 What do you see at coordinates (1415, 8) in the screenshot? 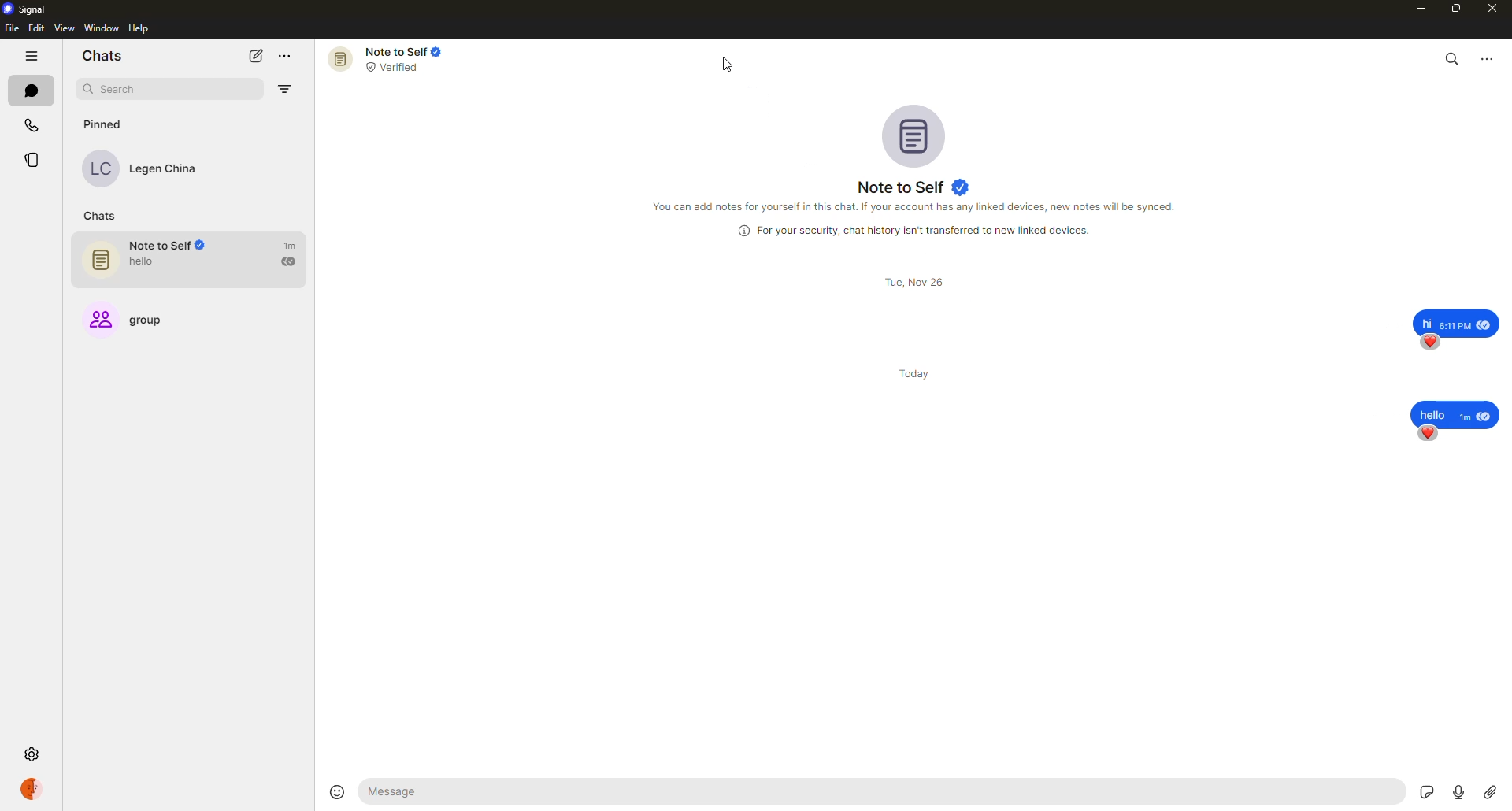
I see `minimize` at bounding box center [1415, 8].